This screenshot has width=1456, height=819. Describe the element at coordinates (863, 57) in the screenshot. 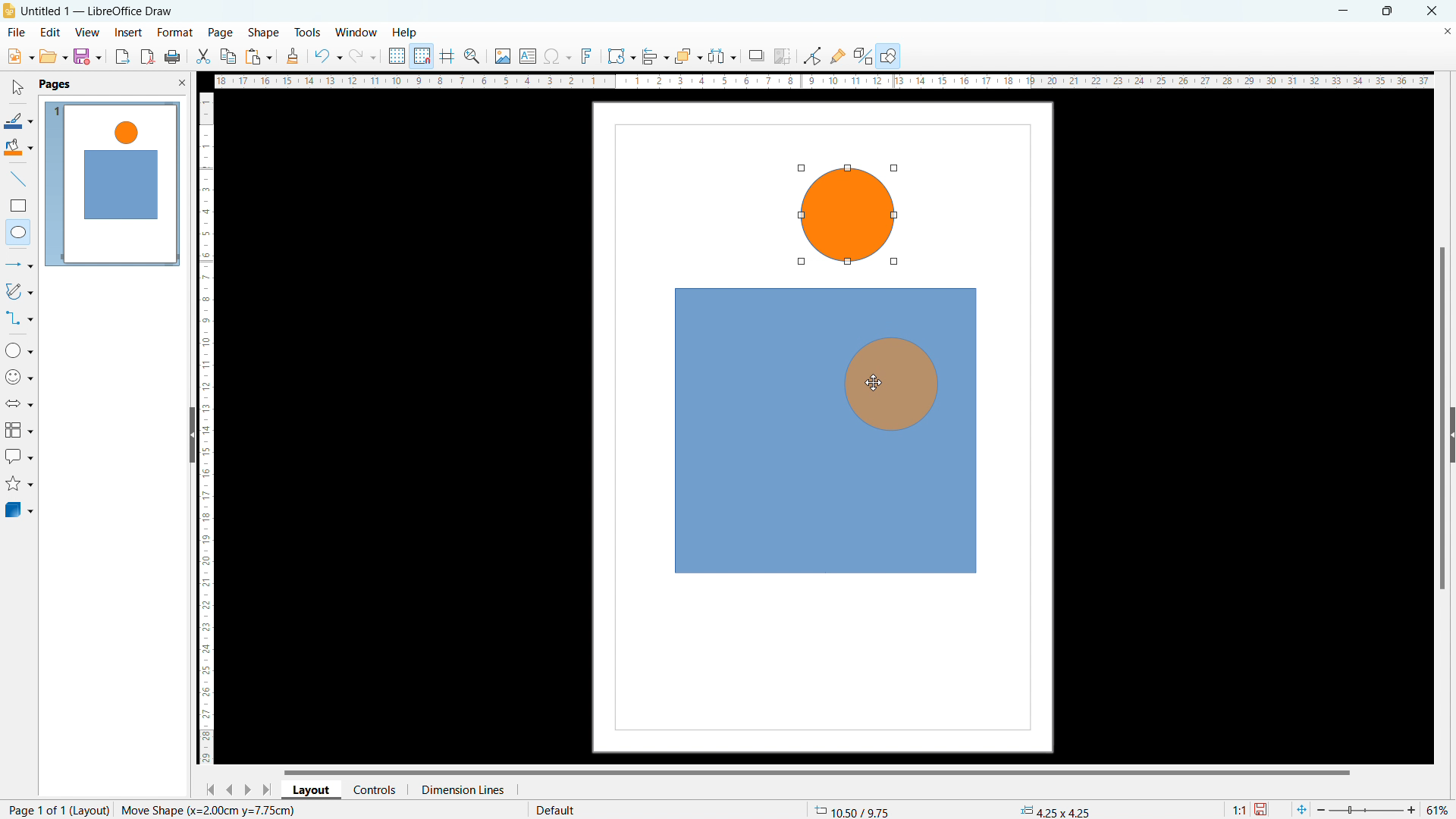

I see `show extrusion` at that location.